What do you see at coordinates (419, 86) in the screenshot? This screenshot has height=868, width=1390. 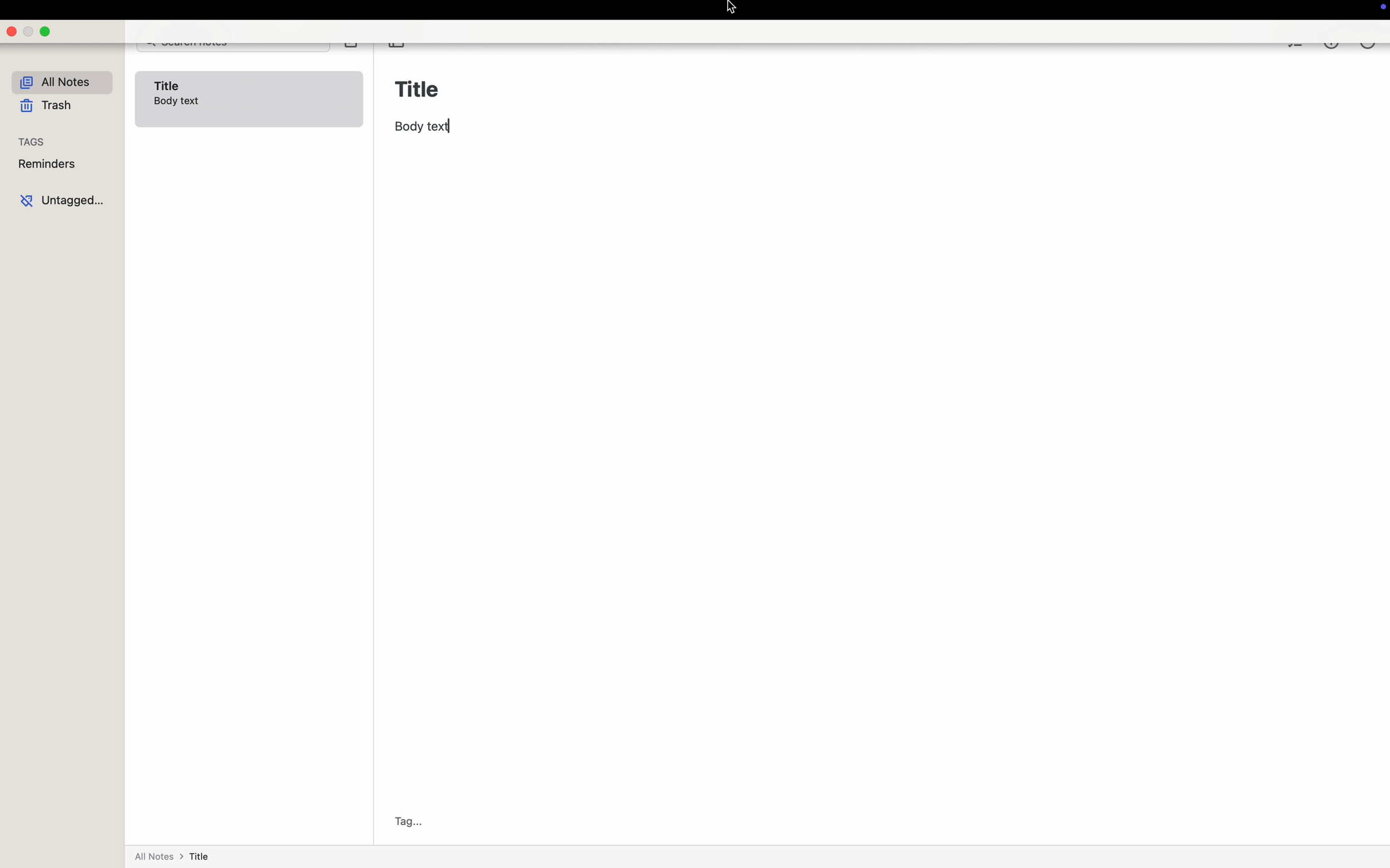 I see `Title` at bounding box center [419, 86].